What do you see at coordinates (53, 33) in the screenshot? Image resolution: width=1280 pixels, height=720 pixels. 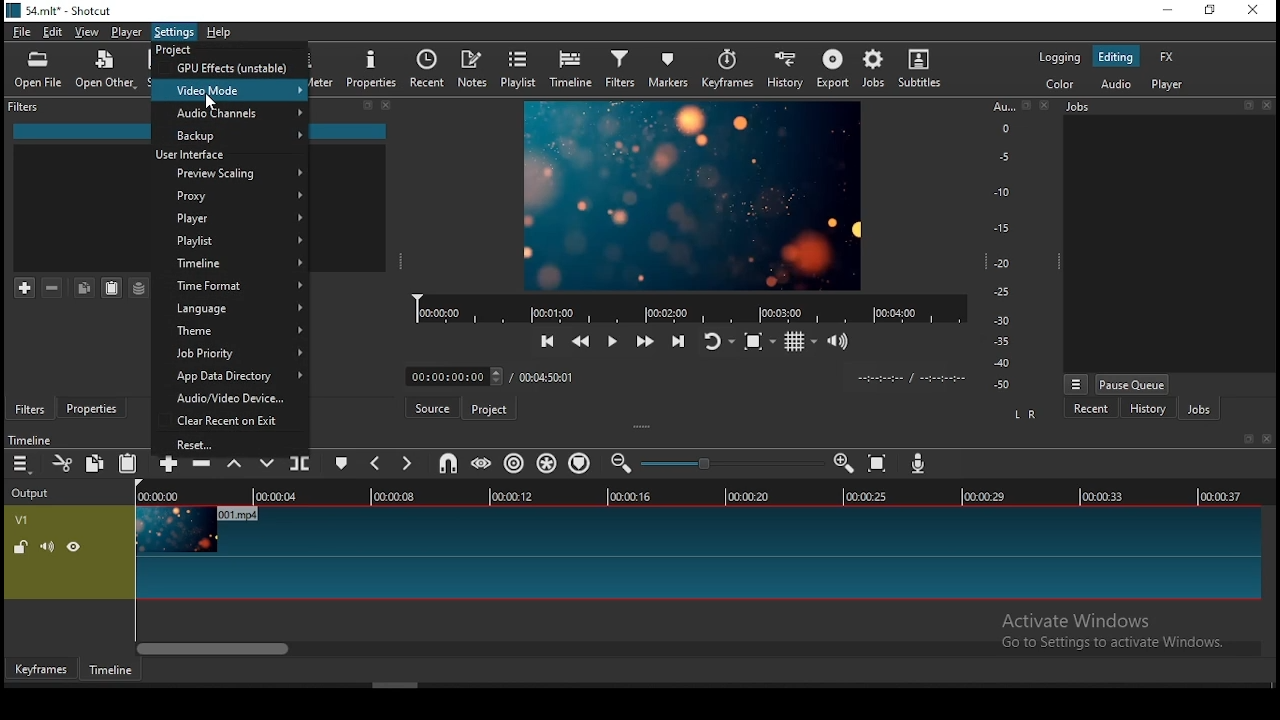 I see `edit` at bounding box center [53, 33].